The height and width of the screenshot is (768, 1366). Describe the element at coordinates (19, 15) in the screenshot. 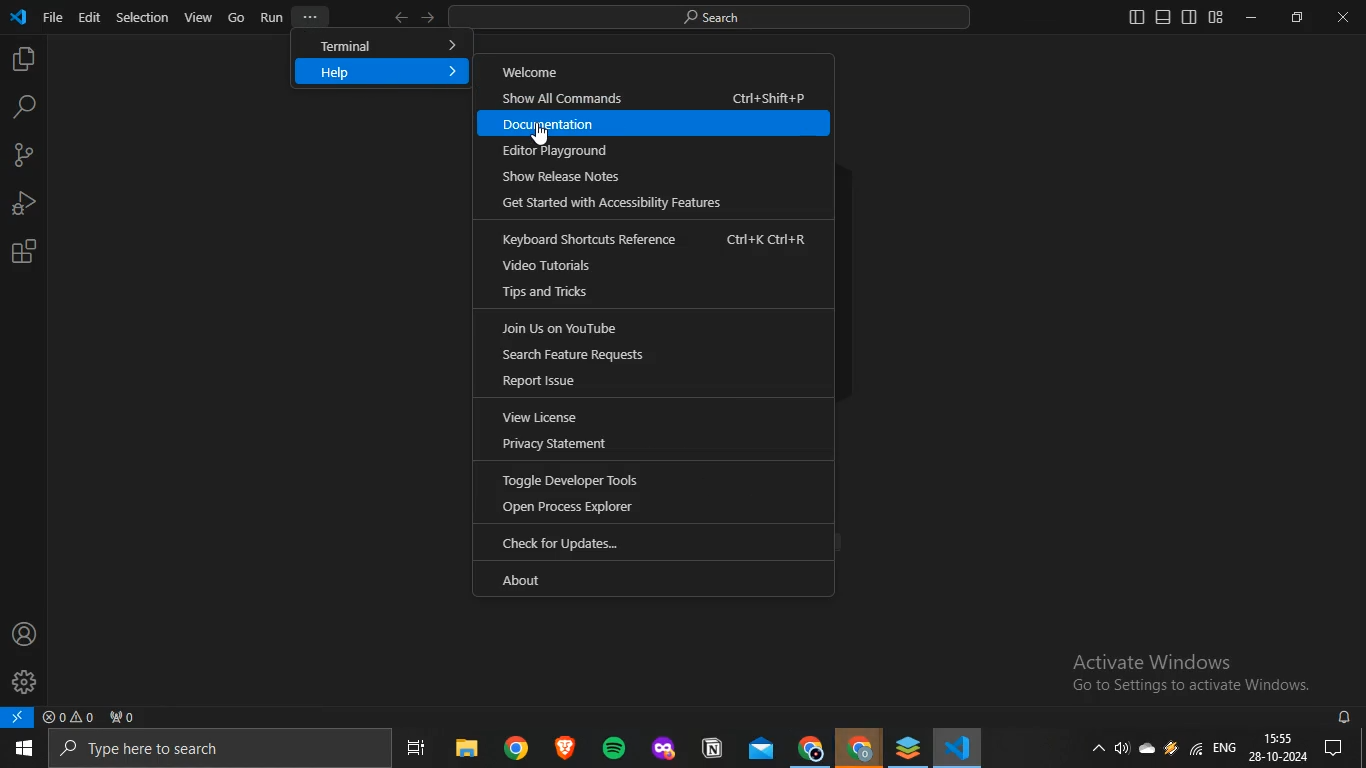

I see `vscode icon` at that location.